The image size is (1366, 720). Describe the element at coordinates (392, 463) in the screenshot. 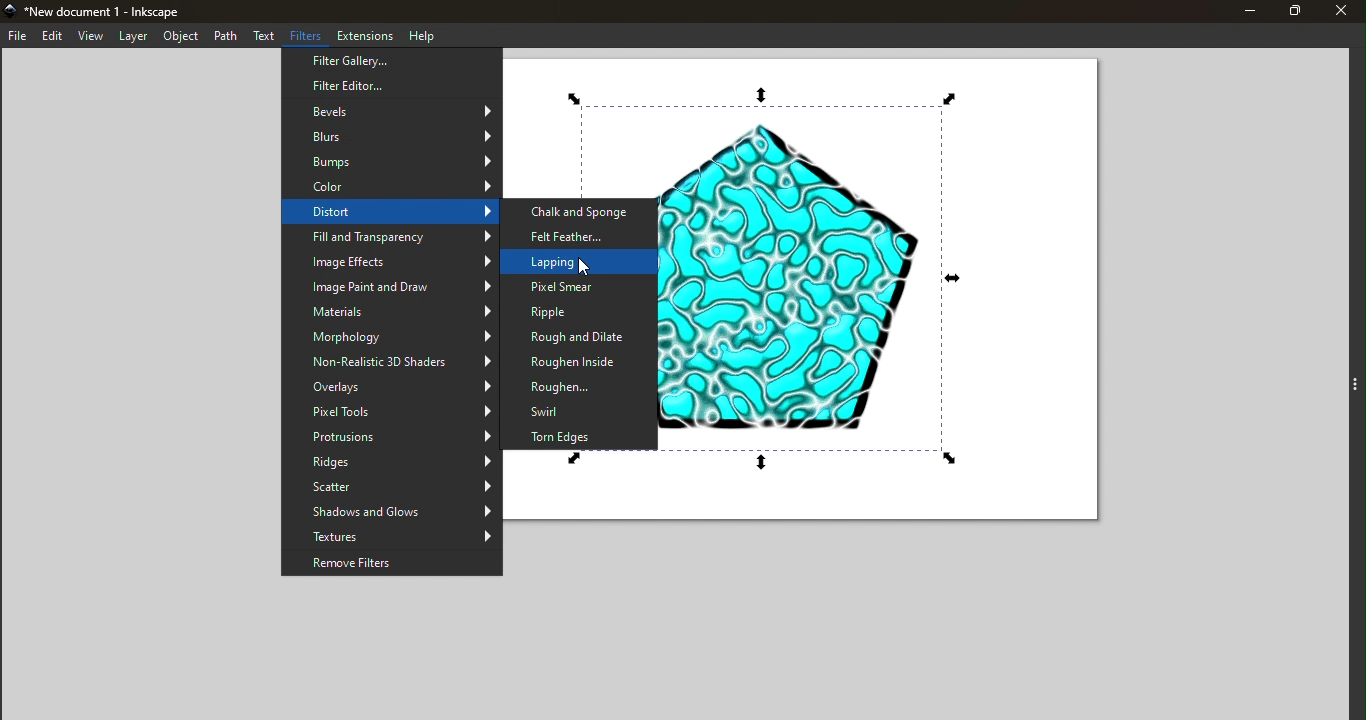

I see `Ridges` at that location.